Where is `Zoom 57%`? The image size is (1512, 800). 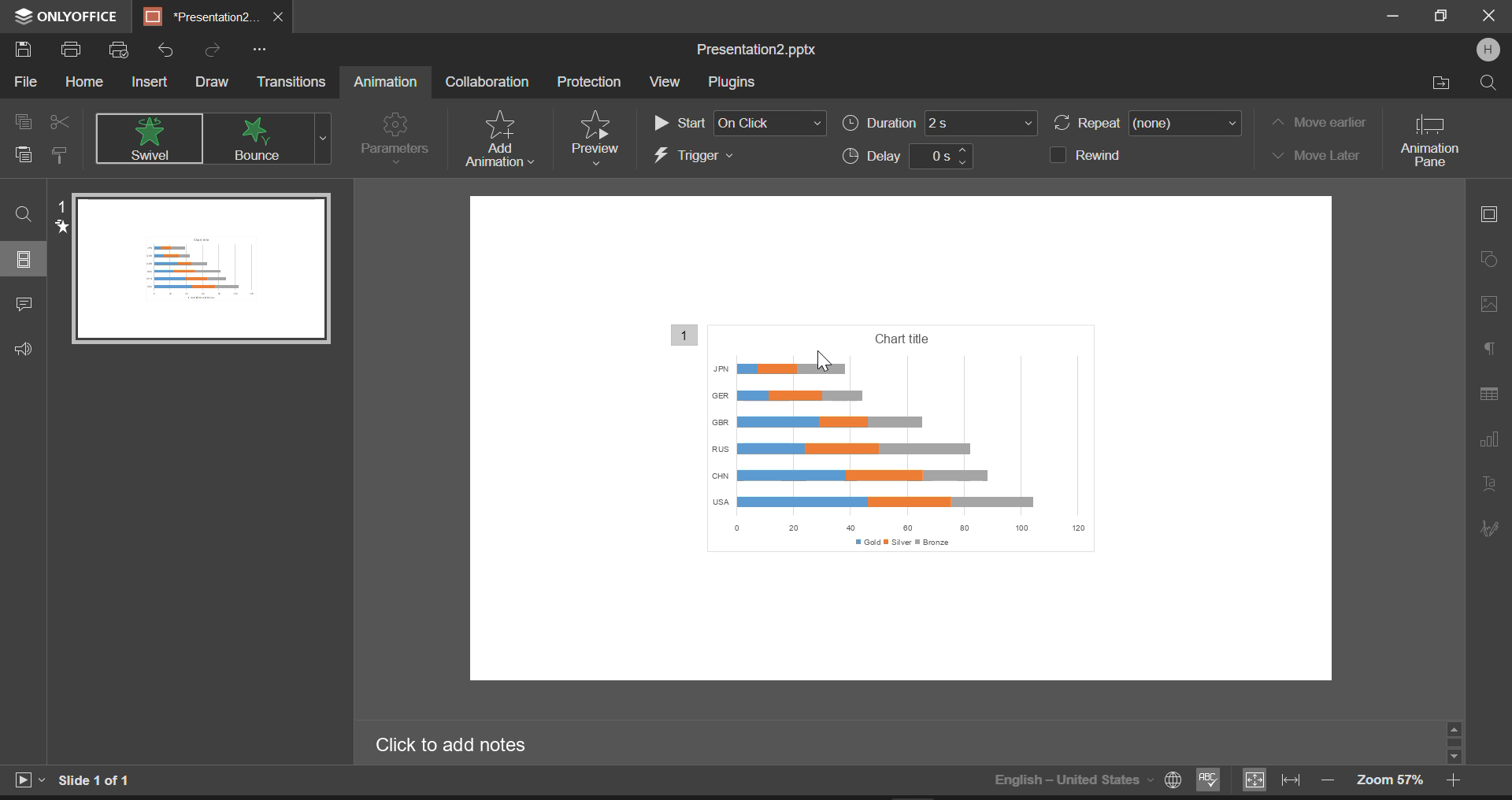
Zoom 57% is located at coordinates (1390, 780).